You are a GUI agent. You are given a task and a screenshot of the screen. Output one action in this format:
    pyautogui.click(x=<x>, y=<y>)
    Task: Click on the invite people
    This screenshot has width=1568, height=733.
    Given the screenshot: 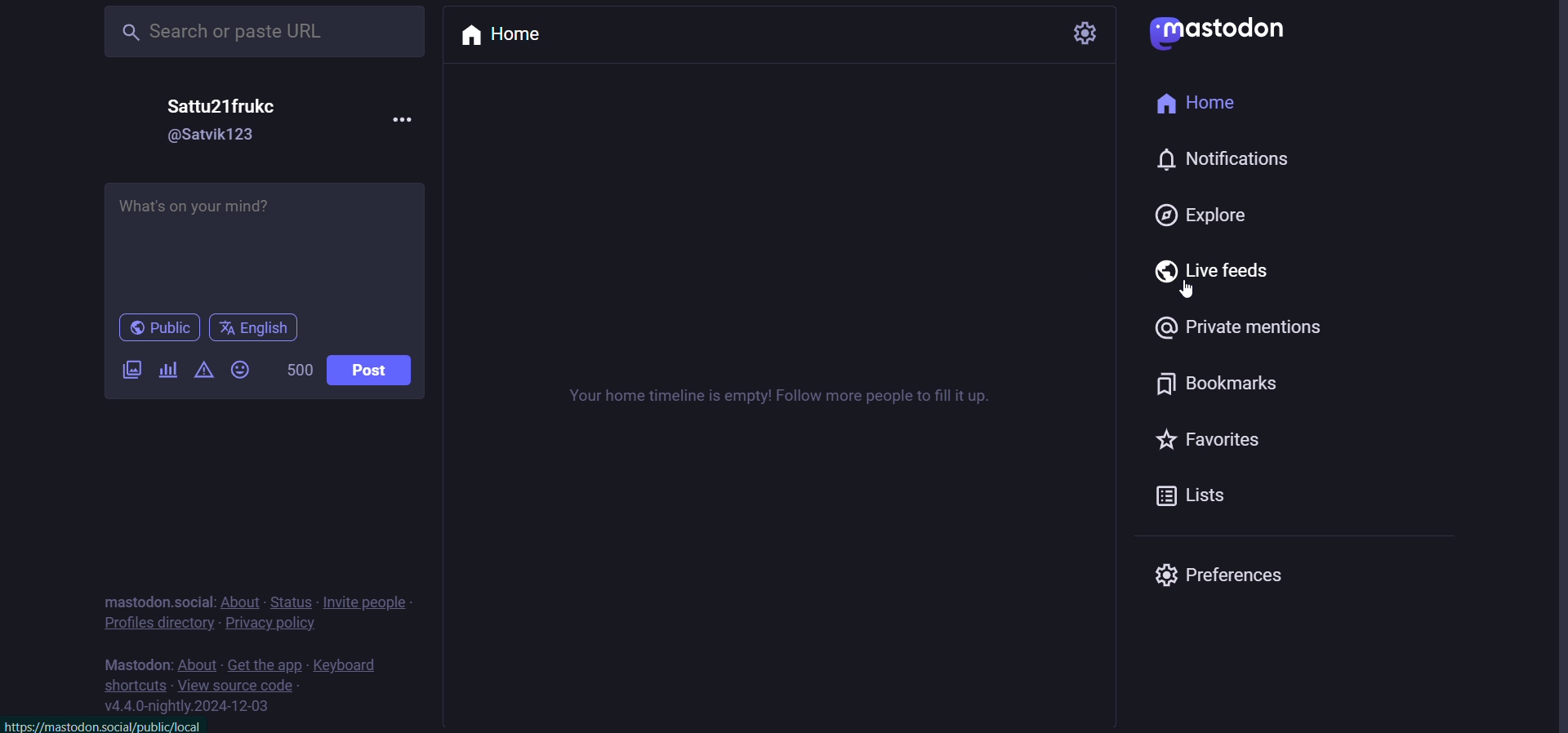 What is the action you would take?
    pyautogui.click(x=367, y=602)
    